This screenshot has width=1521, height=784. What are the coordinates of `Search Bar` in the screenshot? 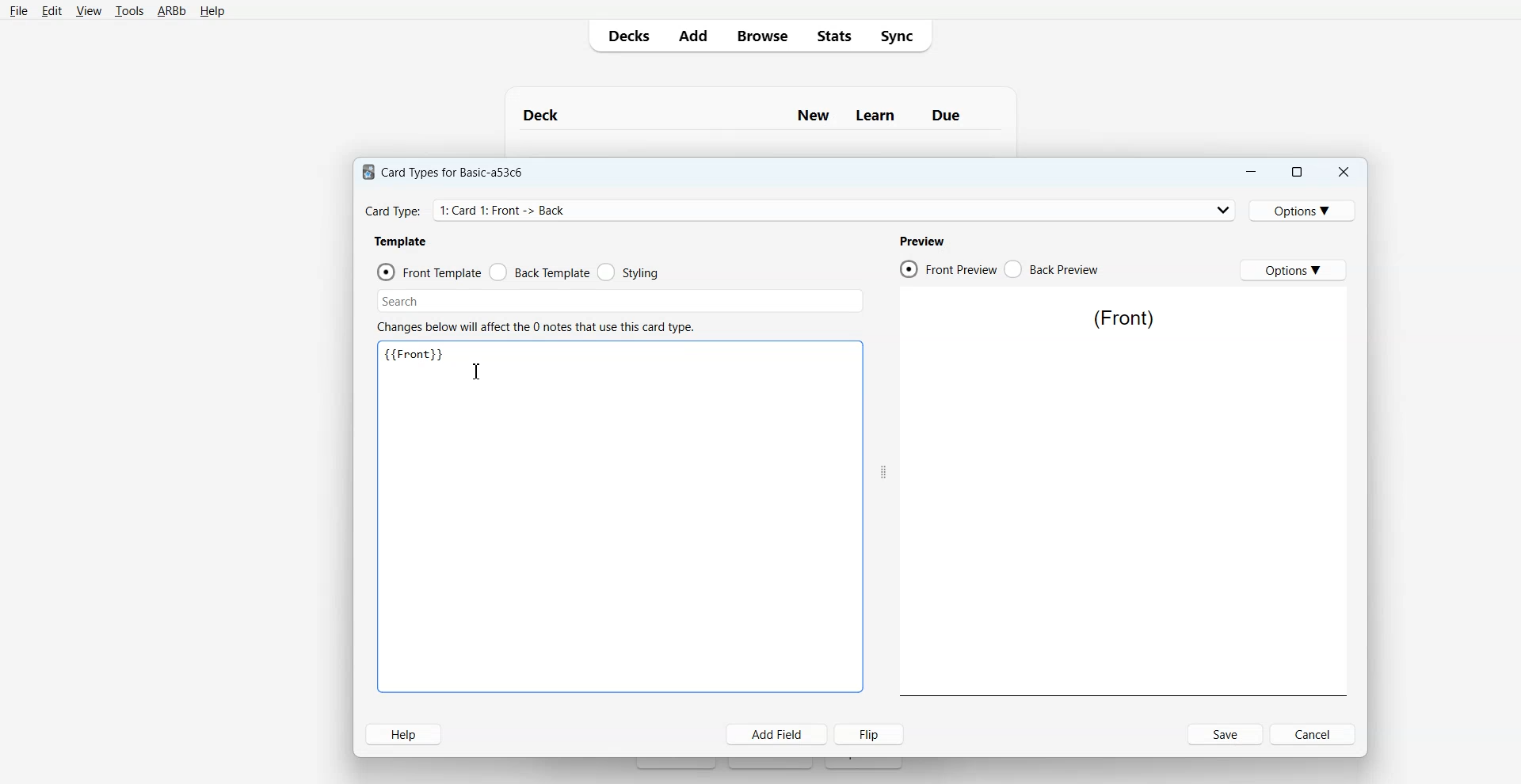 It's located at (620, 301).